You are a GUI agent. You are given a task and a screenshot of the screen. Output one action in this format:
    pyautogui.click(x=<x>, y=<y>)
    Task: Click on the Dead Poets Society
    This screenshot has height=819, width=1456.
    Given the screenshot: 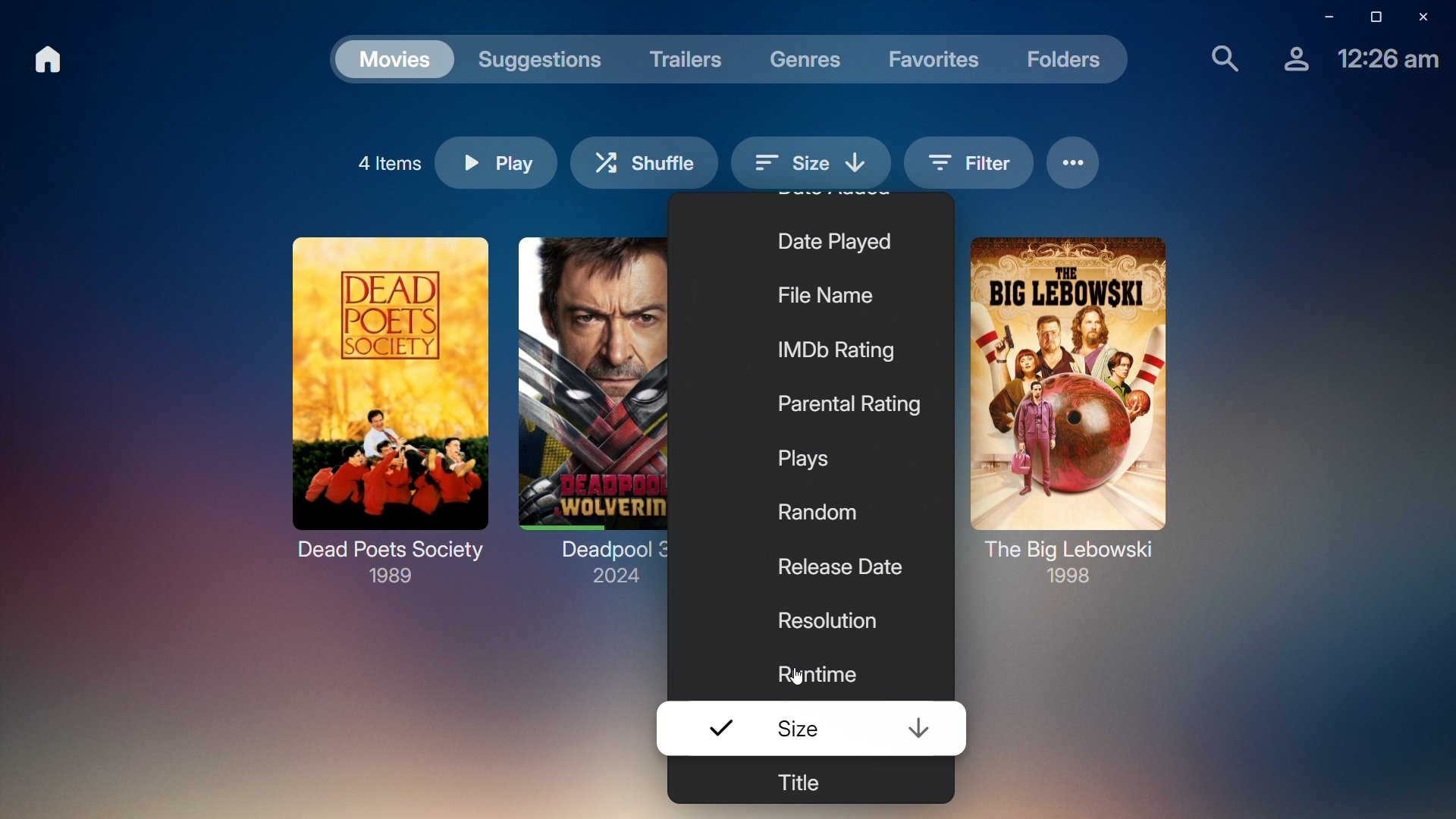 What is the action you would take?
    pyautogui.click(x=382, y=406)
    